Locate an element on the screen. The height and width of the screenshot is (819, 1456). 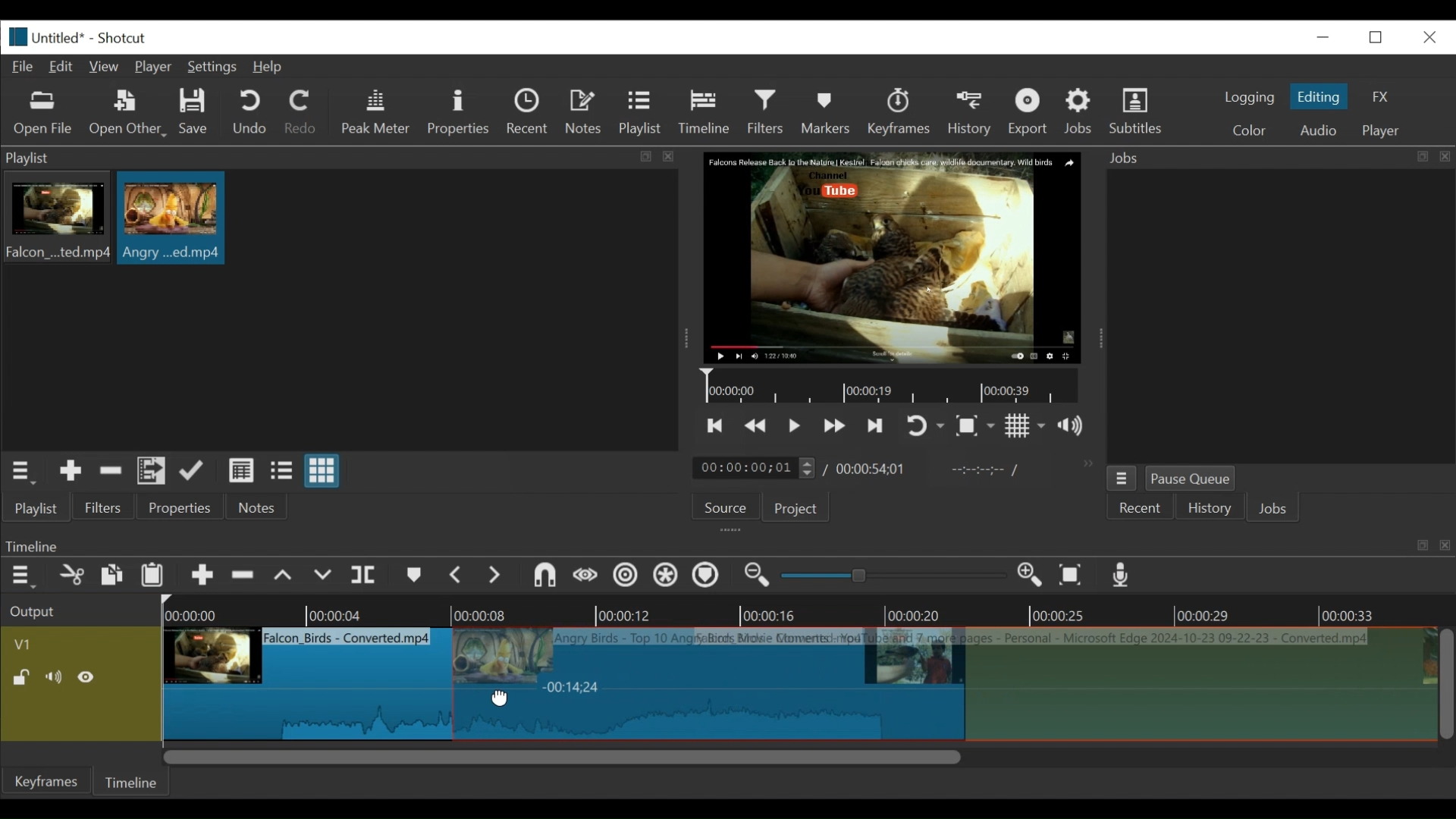
Zoom timeline in is located at coordinates (755, 577).